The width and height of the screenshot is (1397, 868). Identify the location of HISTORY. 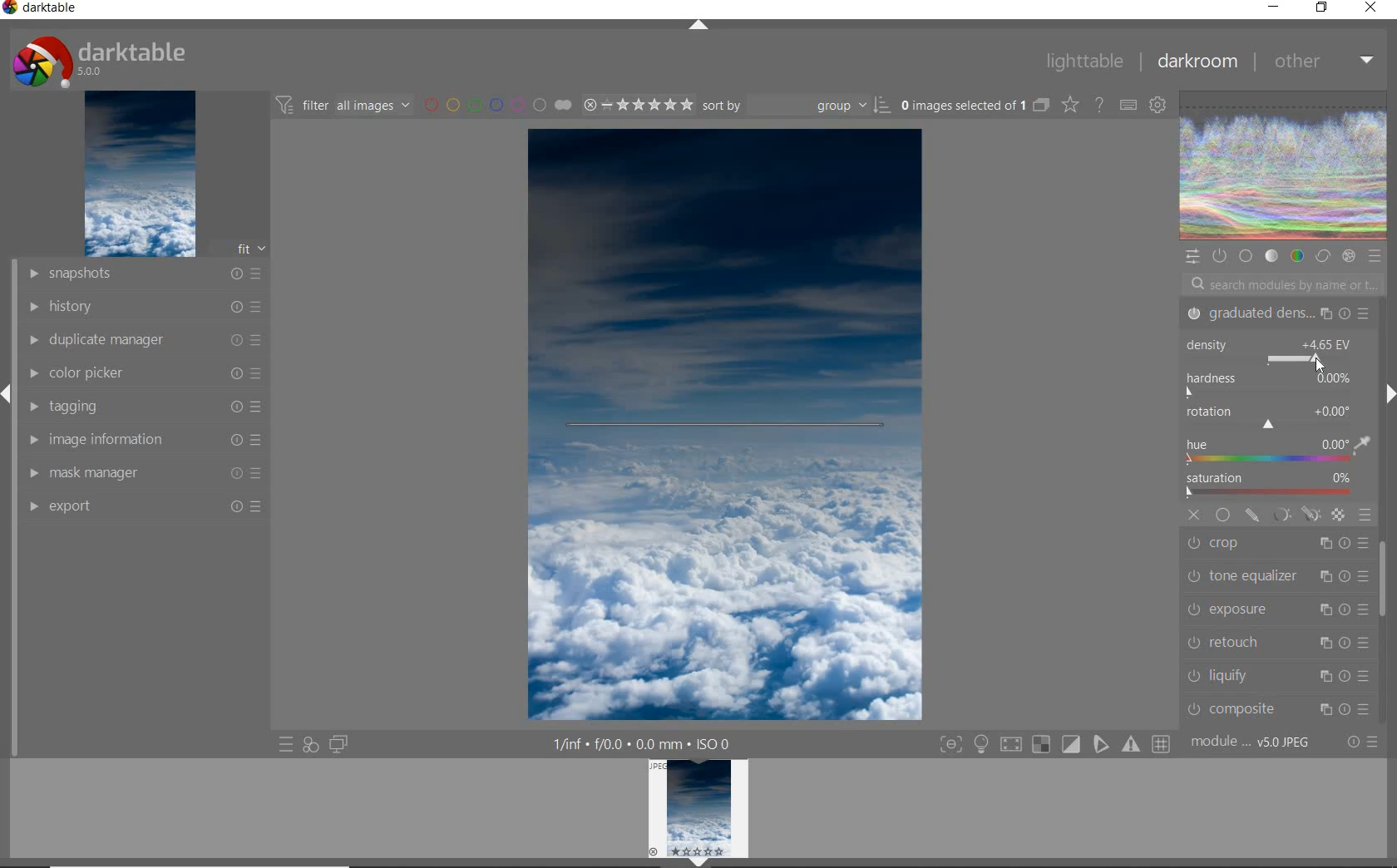
(143, 305).